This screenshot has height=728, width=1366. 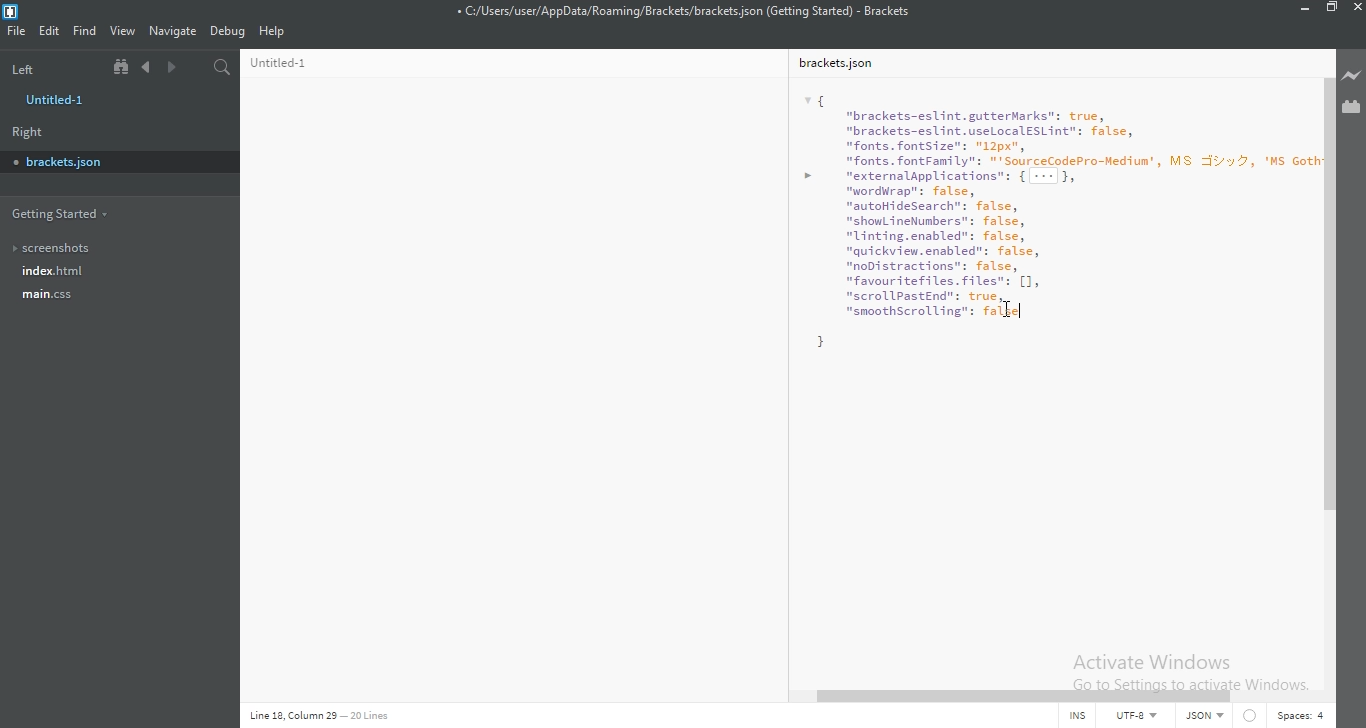 What do you see at coordinates (1141, 718) in the screenshot?
I see ` UTF-8` at bounding box center [1141, 718].